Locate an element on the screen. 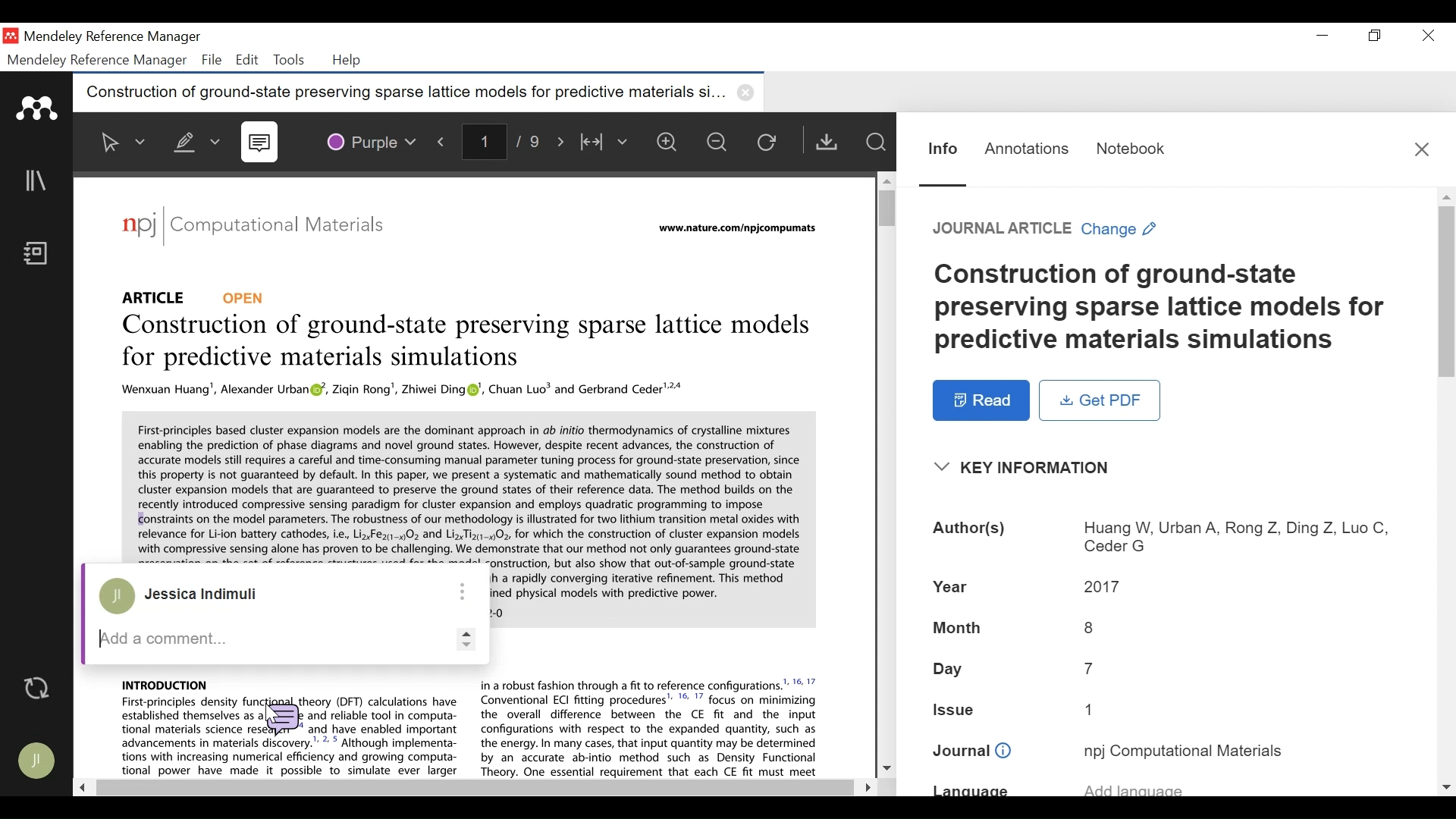  Horizontal Scroll bar is located at coordinates (472, 788).